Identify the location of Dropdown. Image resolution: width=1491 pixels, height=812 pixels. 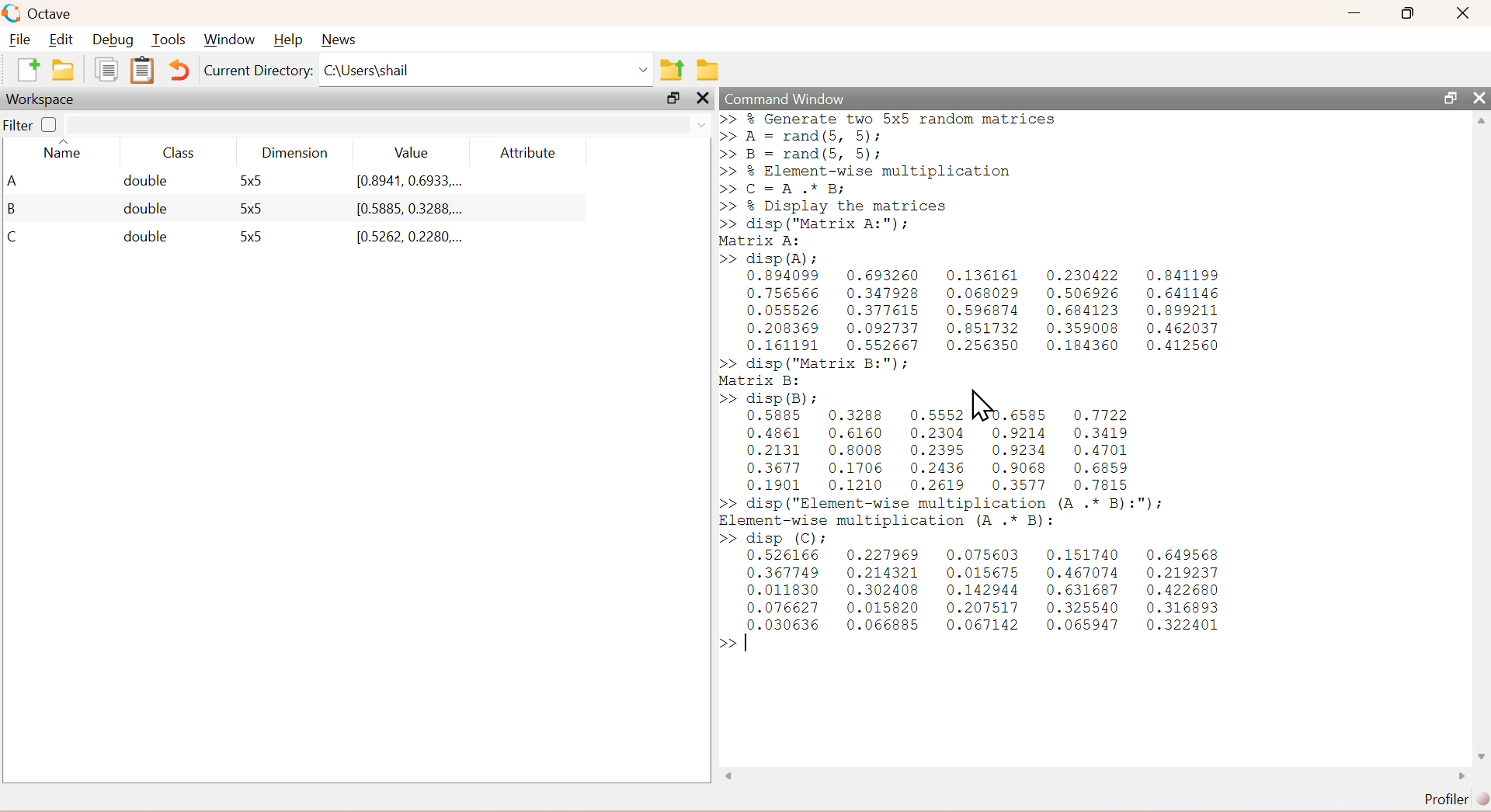
(695, 123).